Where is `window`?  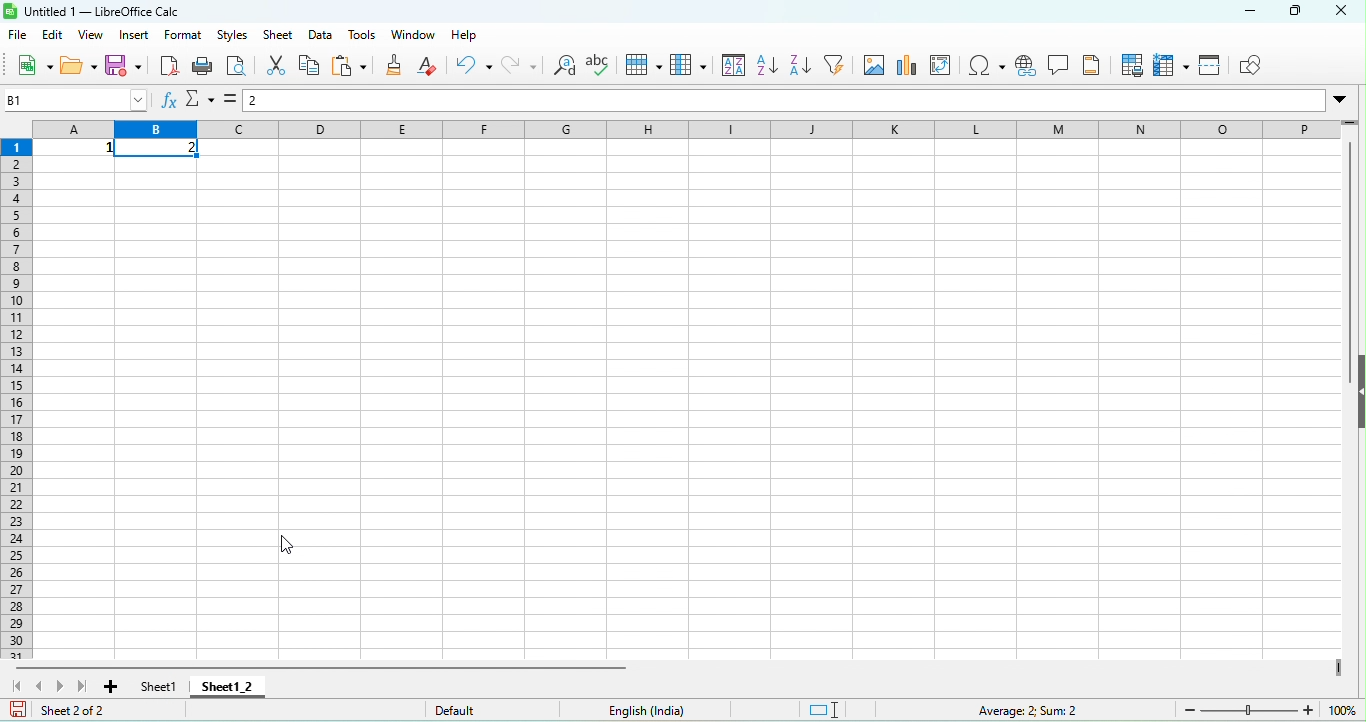 window is located at coordinates (415, 33).